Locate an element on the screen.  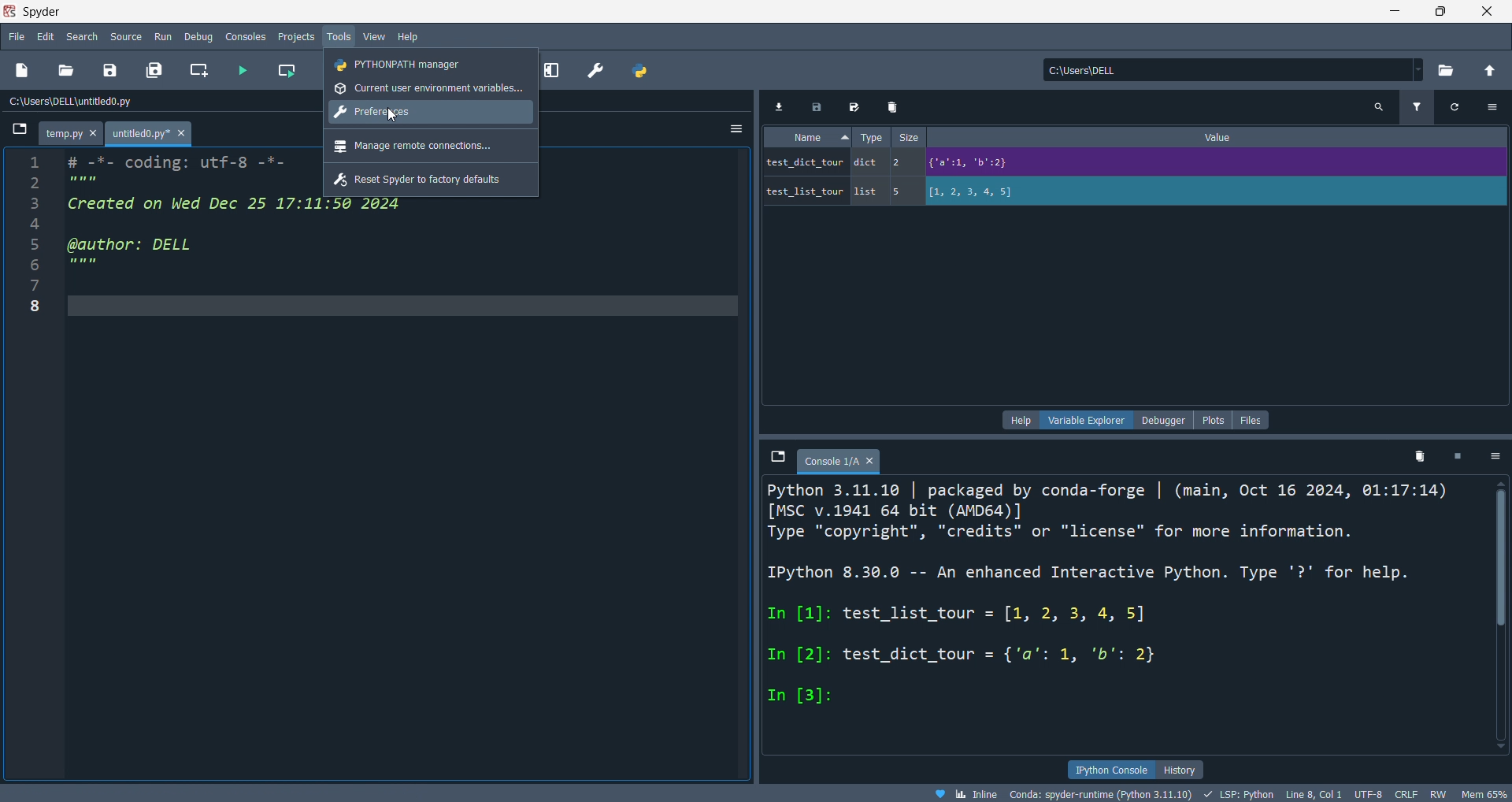
CRLF is located at coordinates (1408, 794).